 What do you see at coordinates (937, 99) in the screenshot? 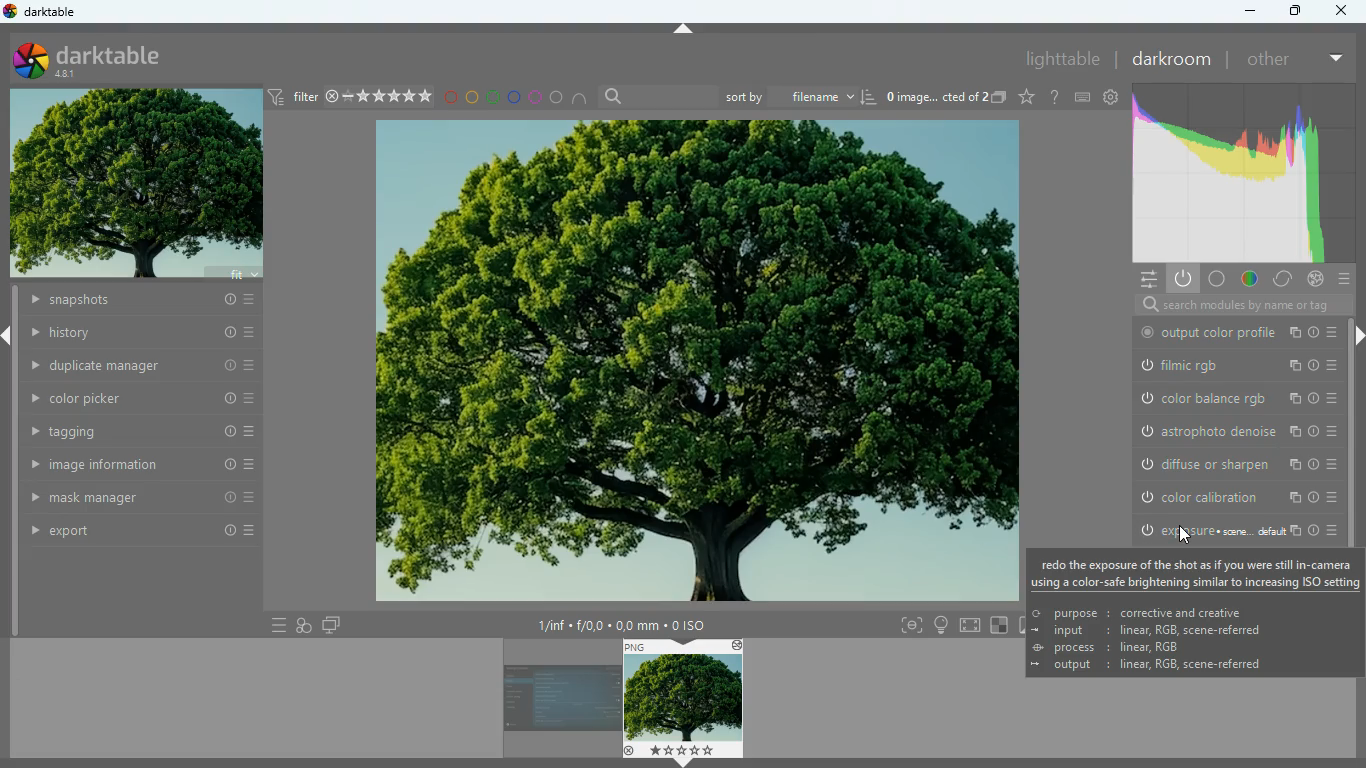
I see `image name` at bounding box center [937, 99].